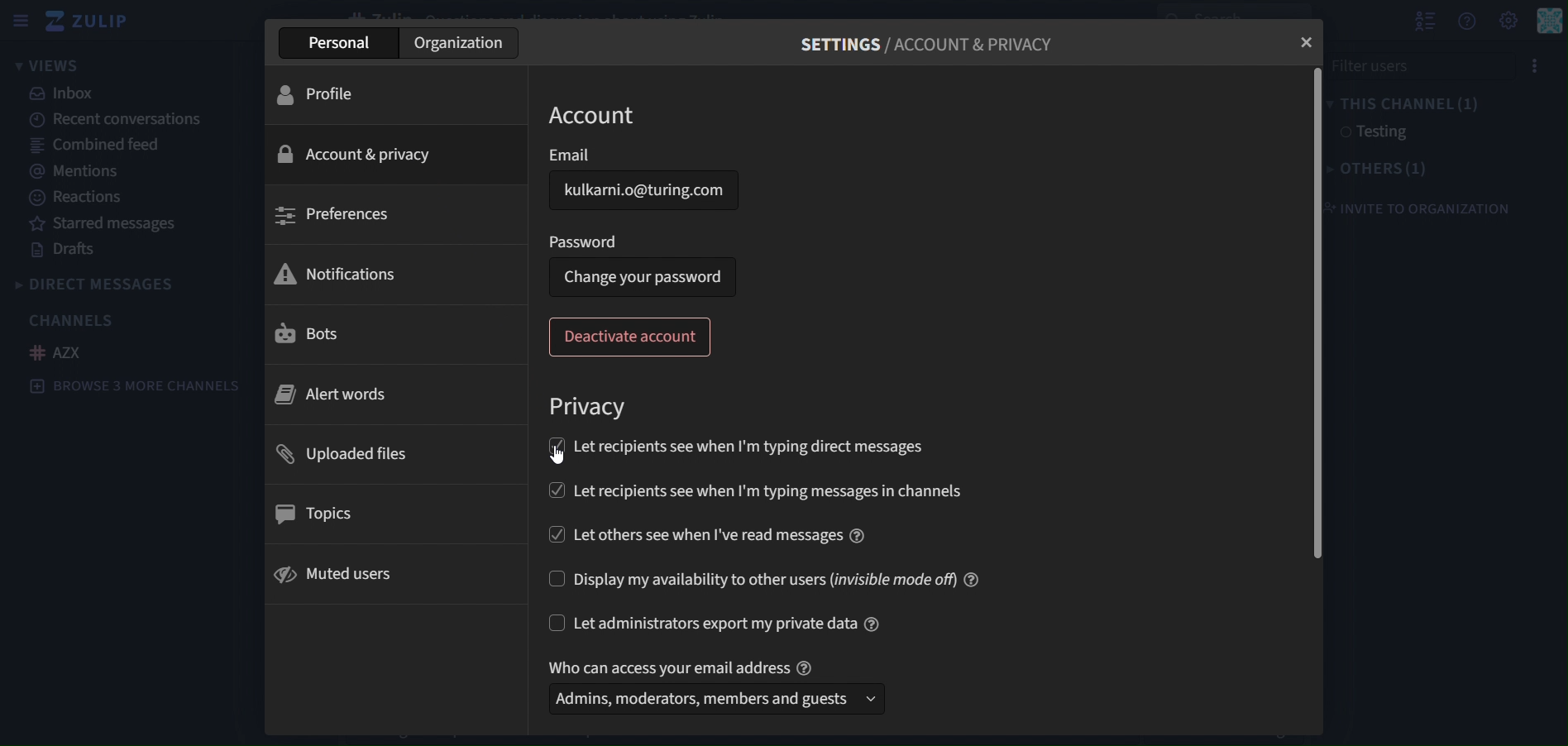  What do you see at coordinates (1312, 318) in the screenshot?
I see `horizontal scroll bar` at bounding box center [1312, 318].